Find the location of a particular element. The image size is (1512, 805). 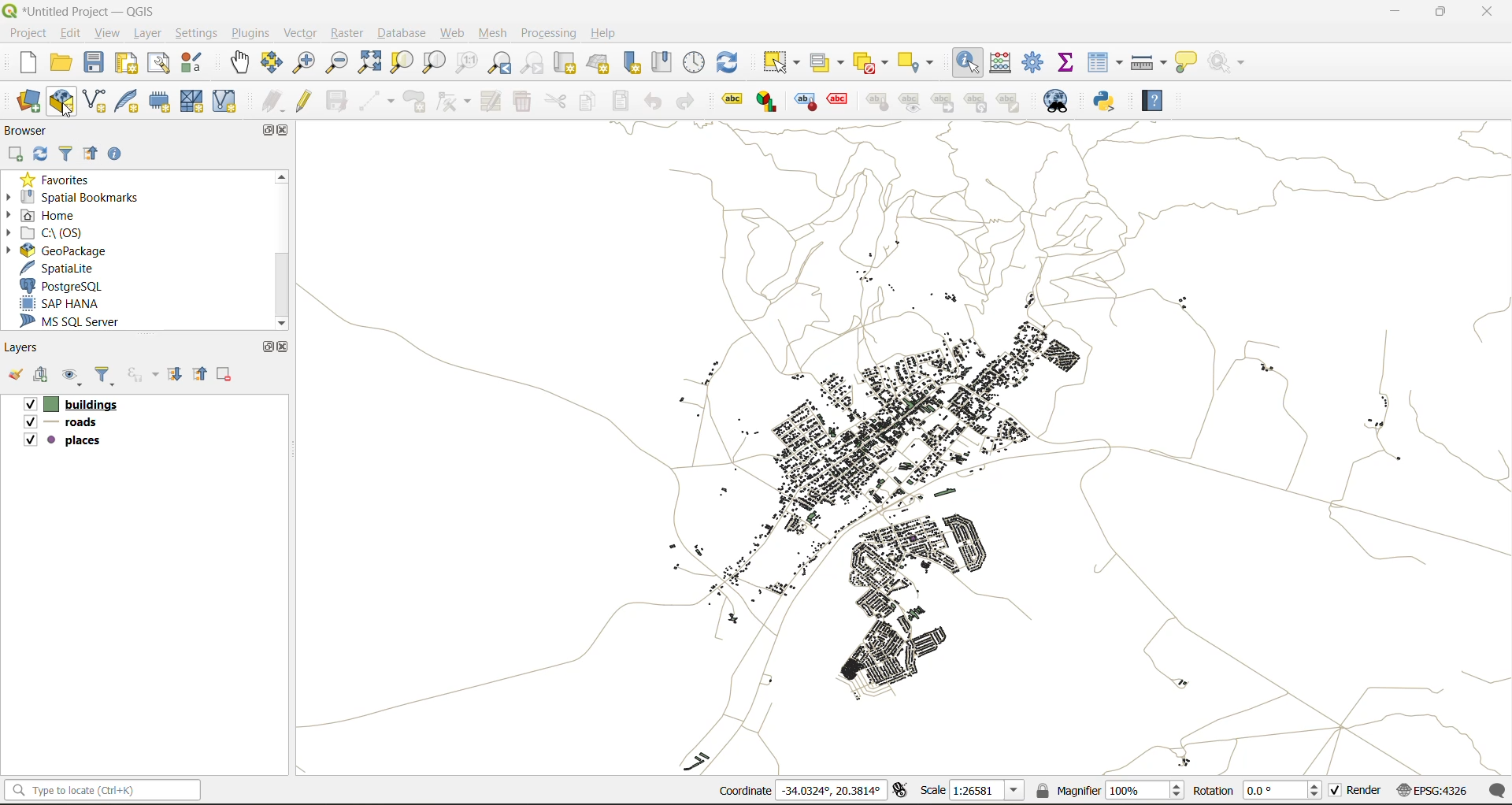

add is located at coordinates (17, 154).